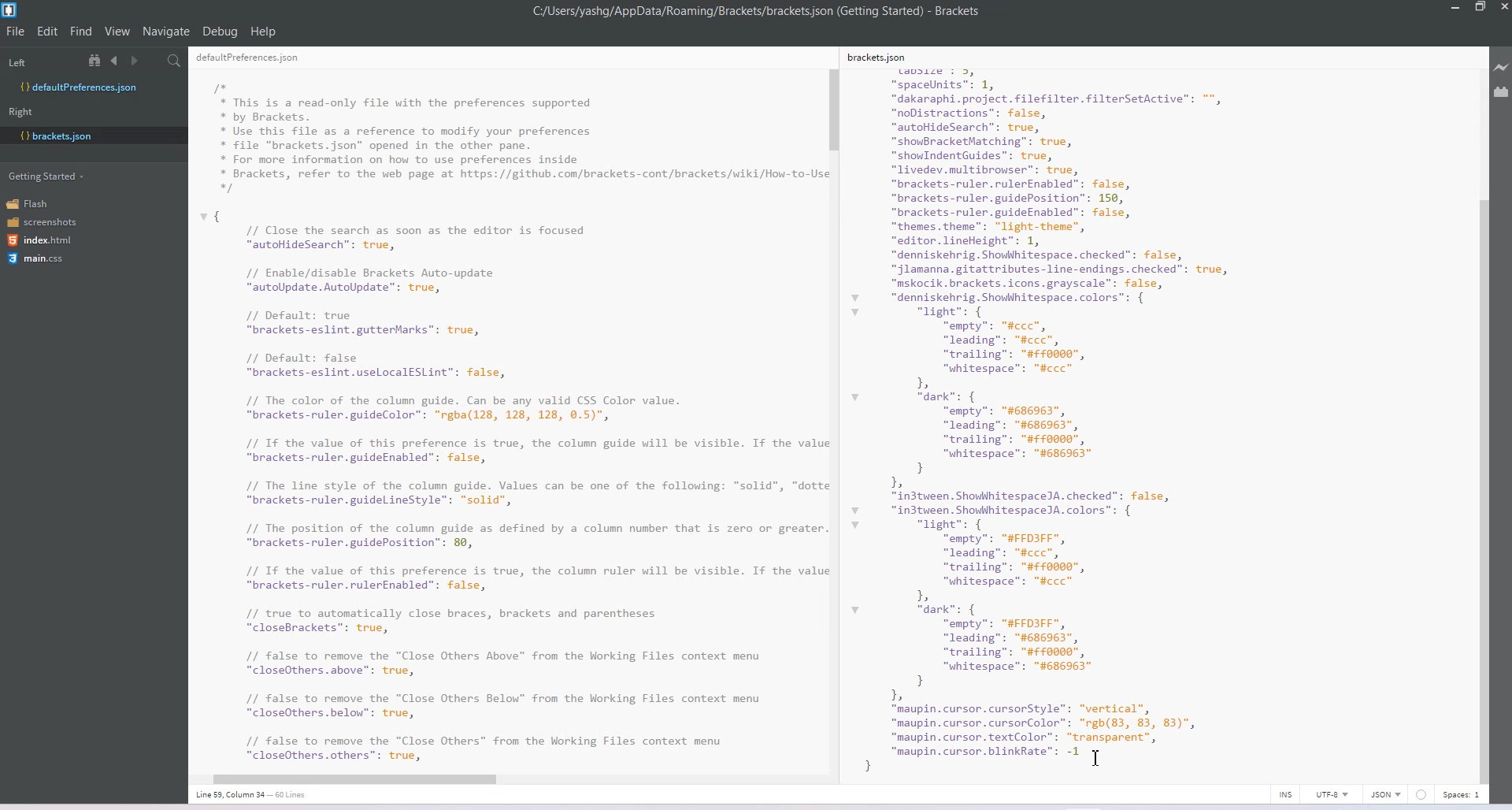 This screenshot has width=1512, height=810. Describe the element at coordinates (502, 776) in the screenshot. I see `Horizontal Scroll Bar` at that location.